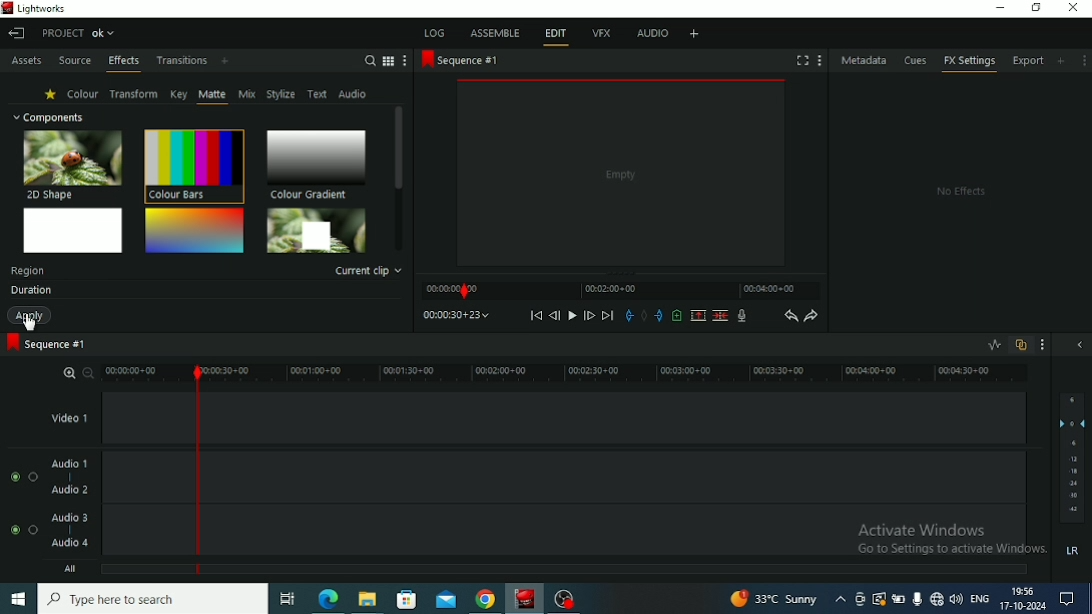  Describe the element at coordinates (536, 315) in the screenshot. I see `Move backward` at that location.